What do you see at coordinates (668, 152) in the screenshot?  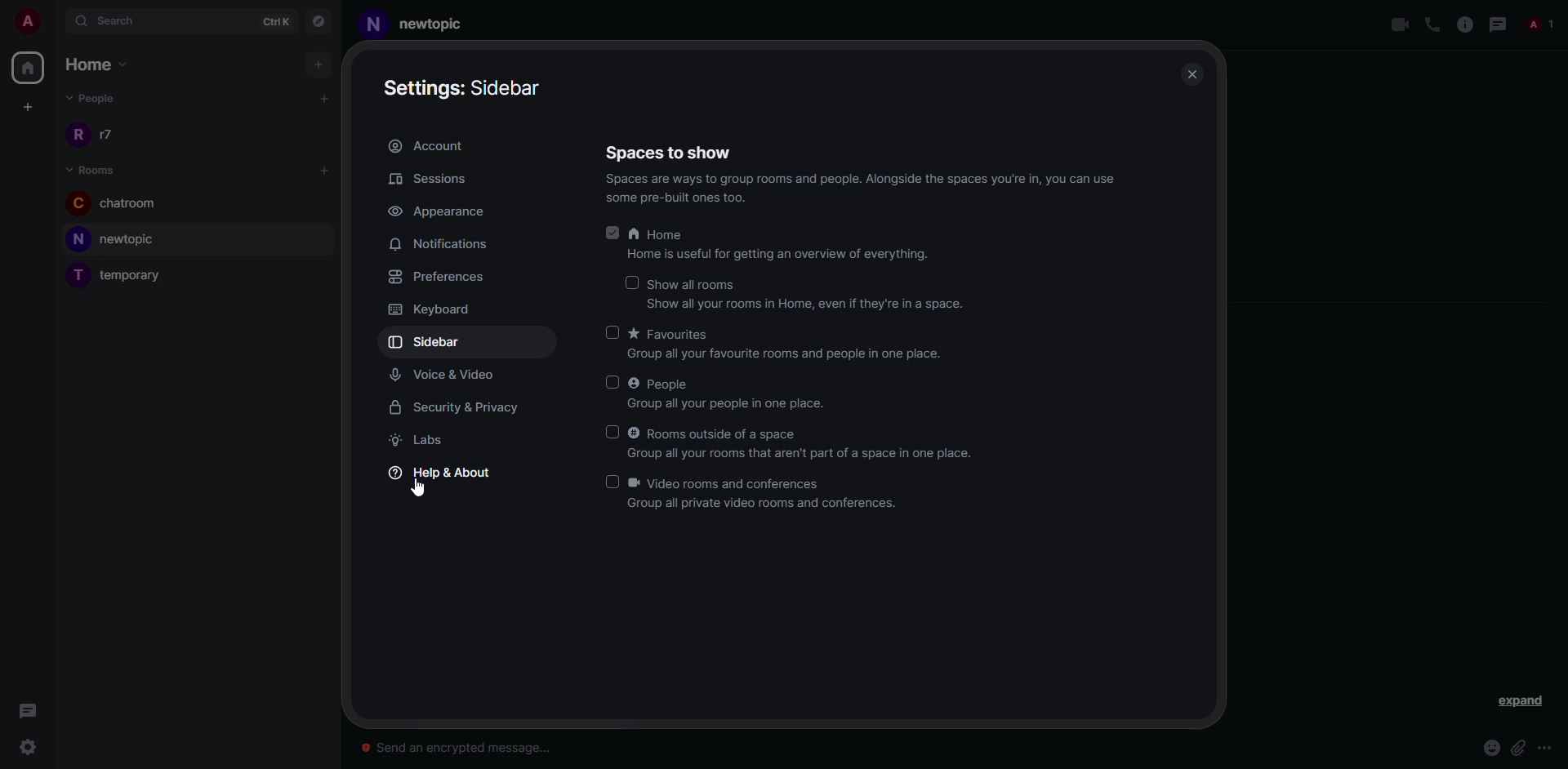 I see `spaces to show` at bounding box center [668, 152].